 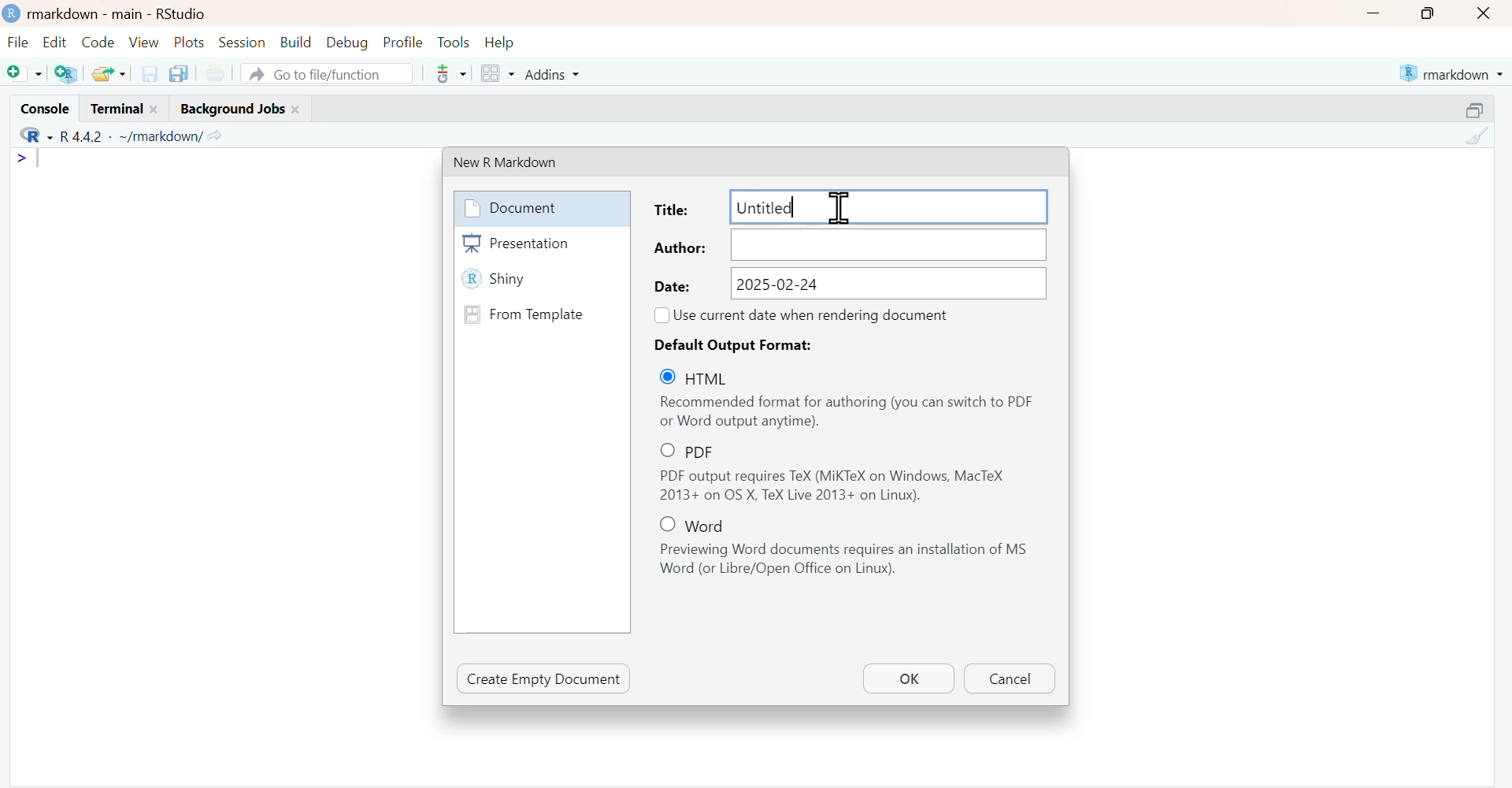 What do you see at coordinates (815, 314) in the screenshot?
I see `Use current date when rendering document` at bounding box center [815, 314].